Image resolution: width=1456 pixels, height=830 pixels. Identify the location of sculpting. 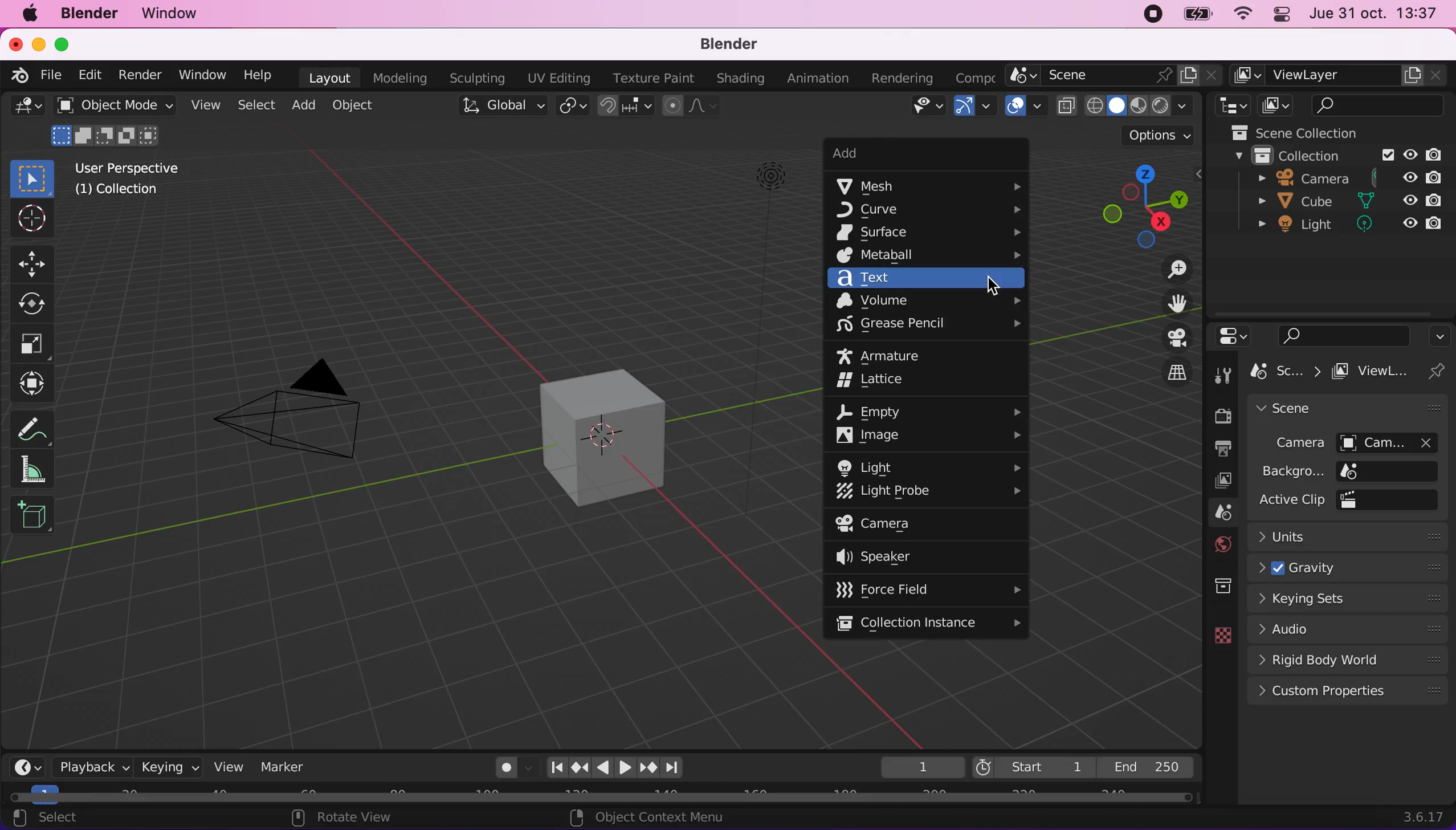
(478, 77).